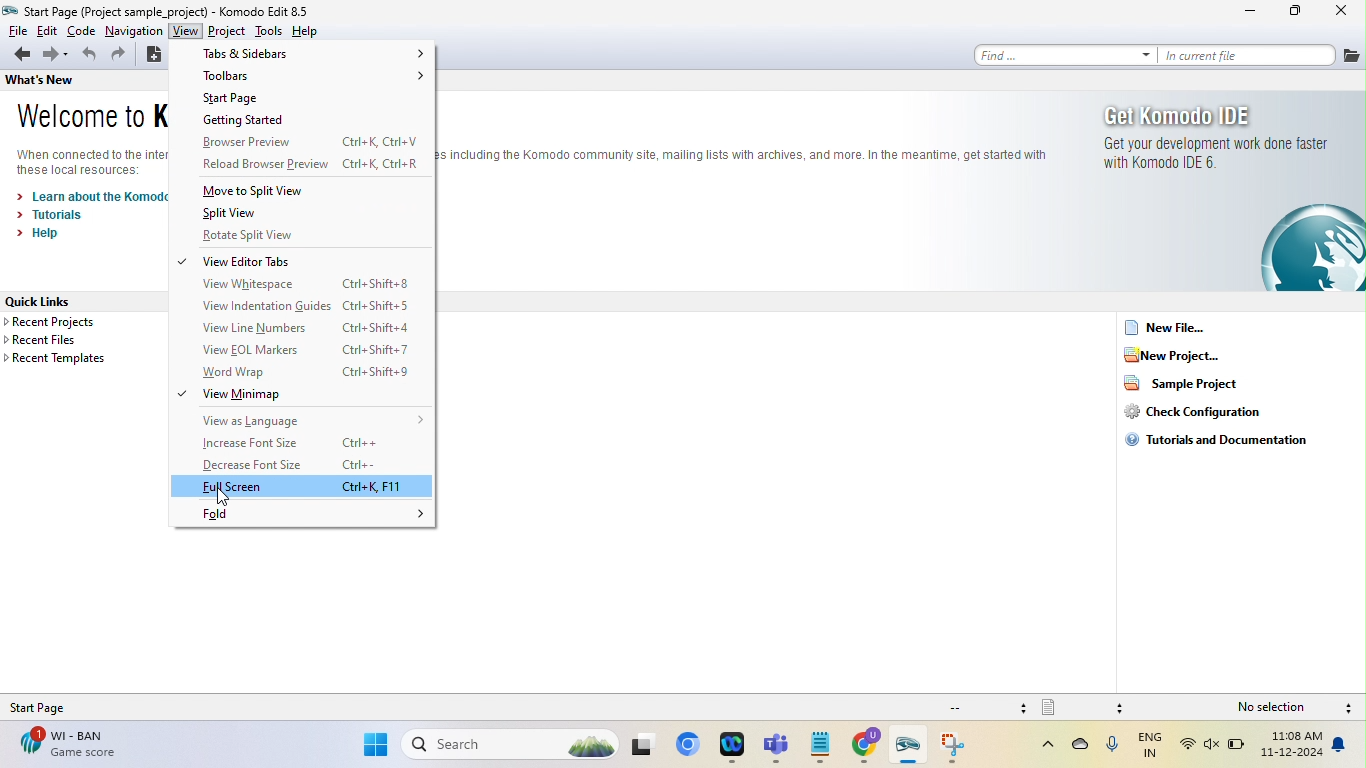 The width and height of the screenshot is (1366, 768). Describe the element at coordinates (308, 143) in the screenshot. I see `browser preview` at that location.